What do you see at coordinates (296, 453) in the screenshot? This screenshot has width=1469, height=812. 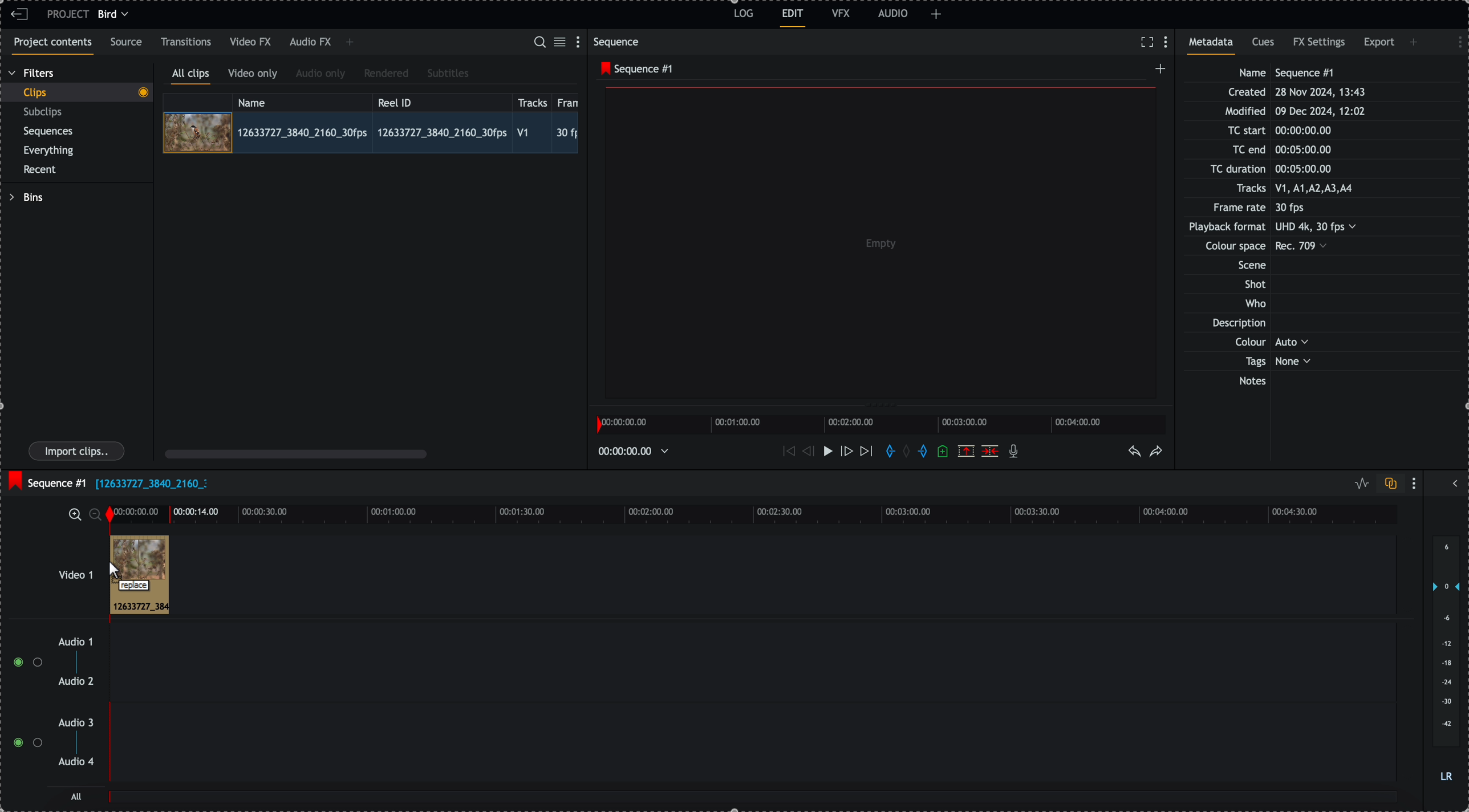 I see `scroll bar` at bounding box center [296, 453].